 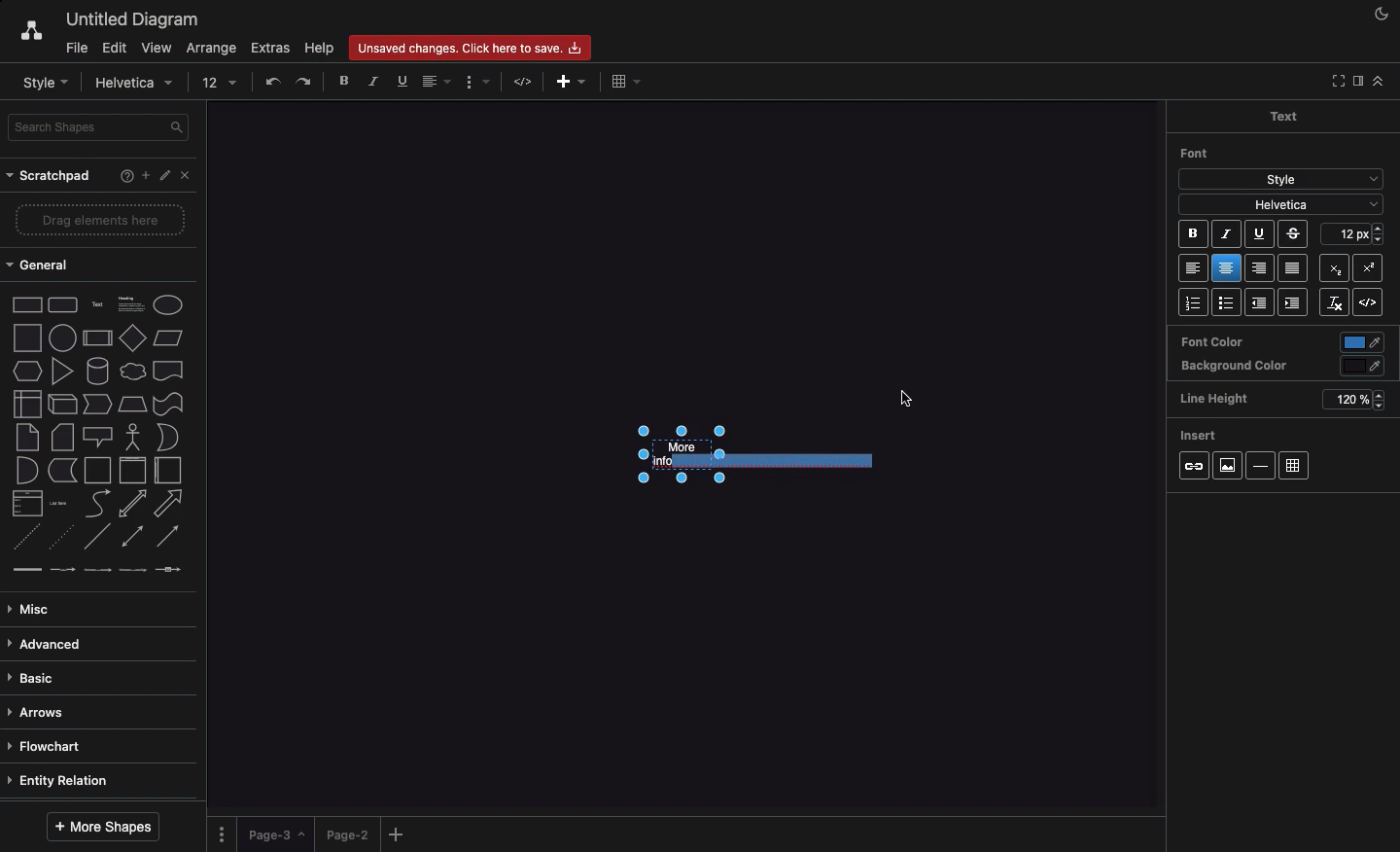 I want to click on curve, so click(x=98, y=502).